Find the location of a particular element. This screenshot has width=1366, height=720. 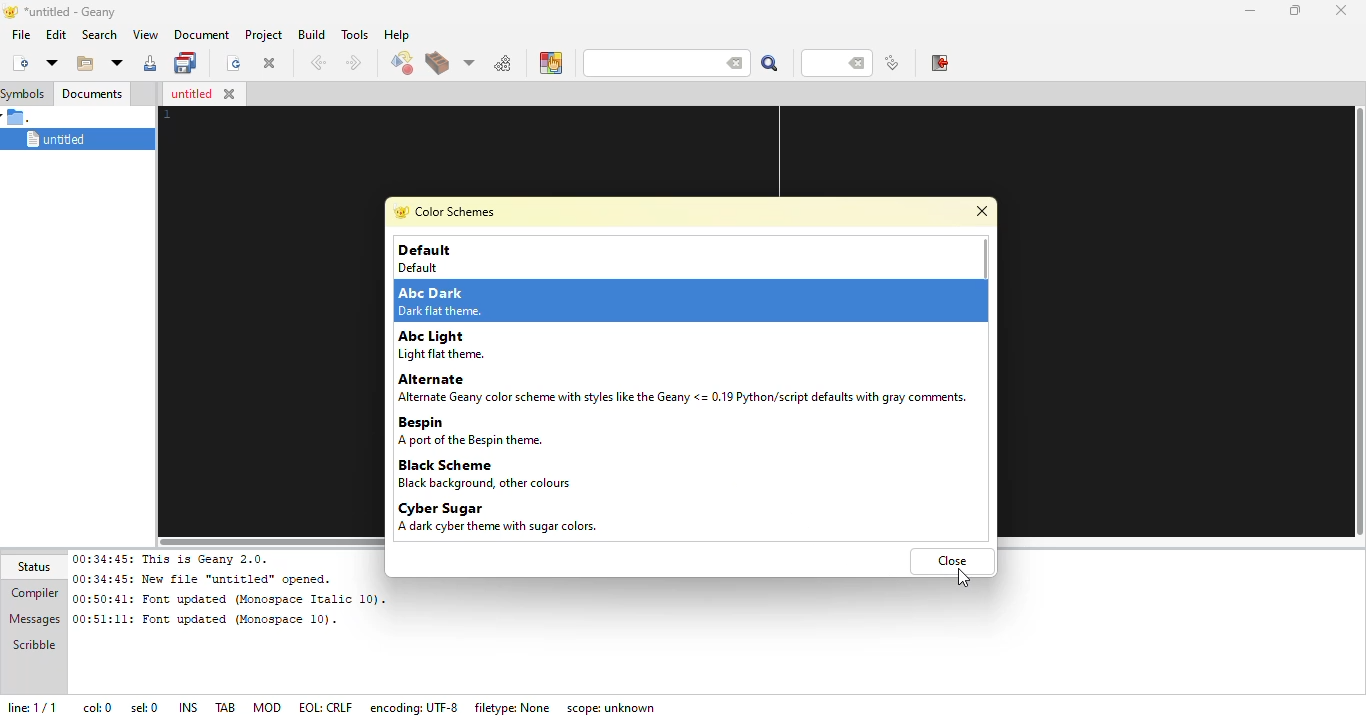

save all is located at coordinates (187, 61).